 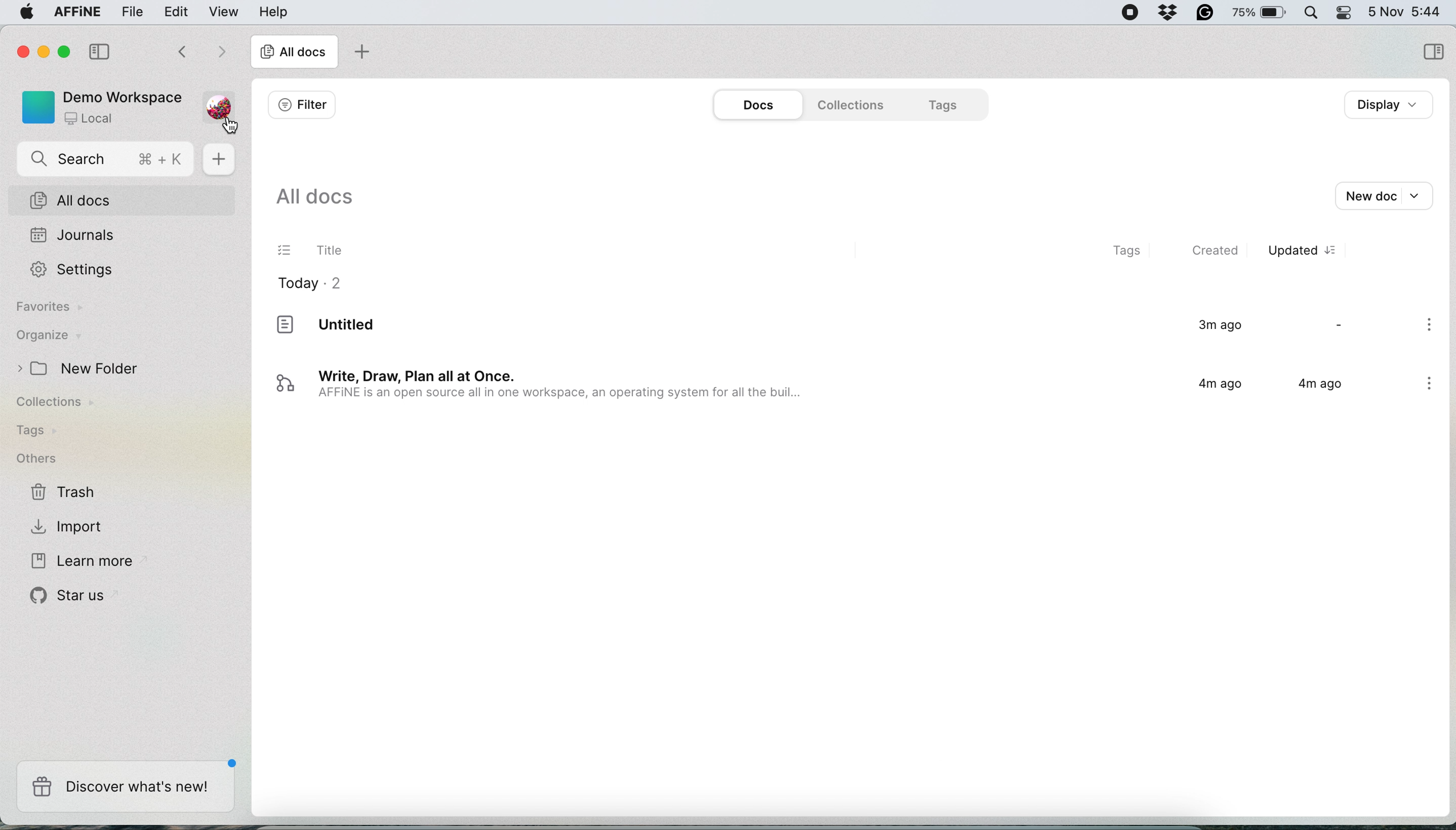 What do you see at coordinates (64, 493) in the screenshot?
I see `trash` at bounding box center [64, 493].